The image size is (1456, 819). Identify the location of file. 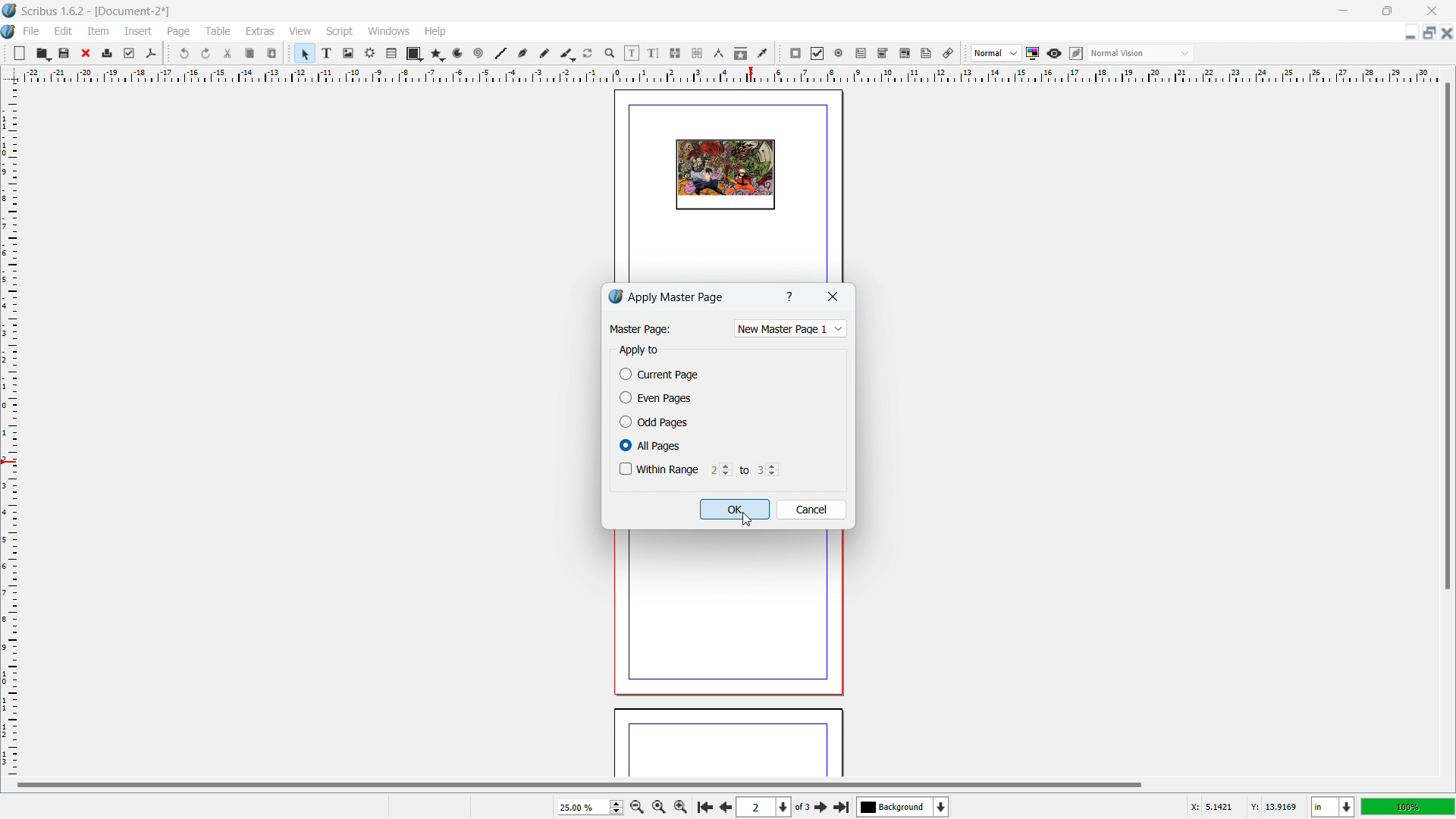
(30, 31).